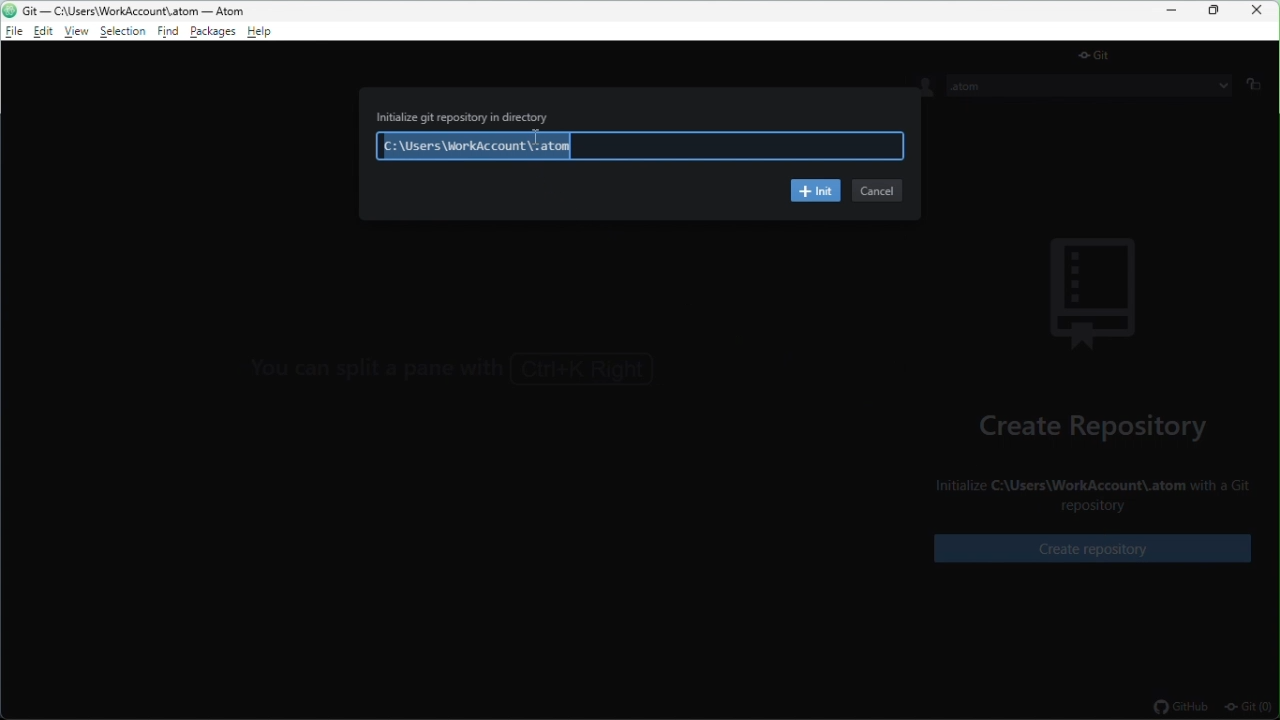  I want to click on edit, so click(46, 32).